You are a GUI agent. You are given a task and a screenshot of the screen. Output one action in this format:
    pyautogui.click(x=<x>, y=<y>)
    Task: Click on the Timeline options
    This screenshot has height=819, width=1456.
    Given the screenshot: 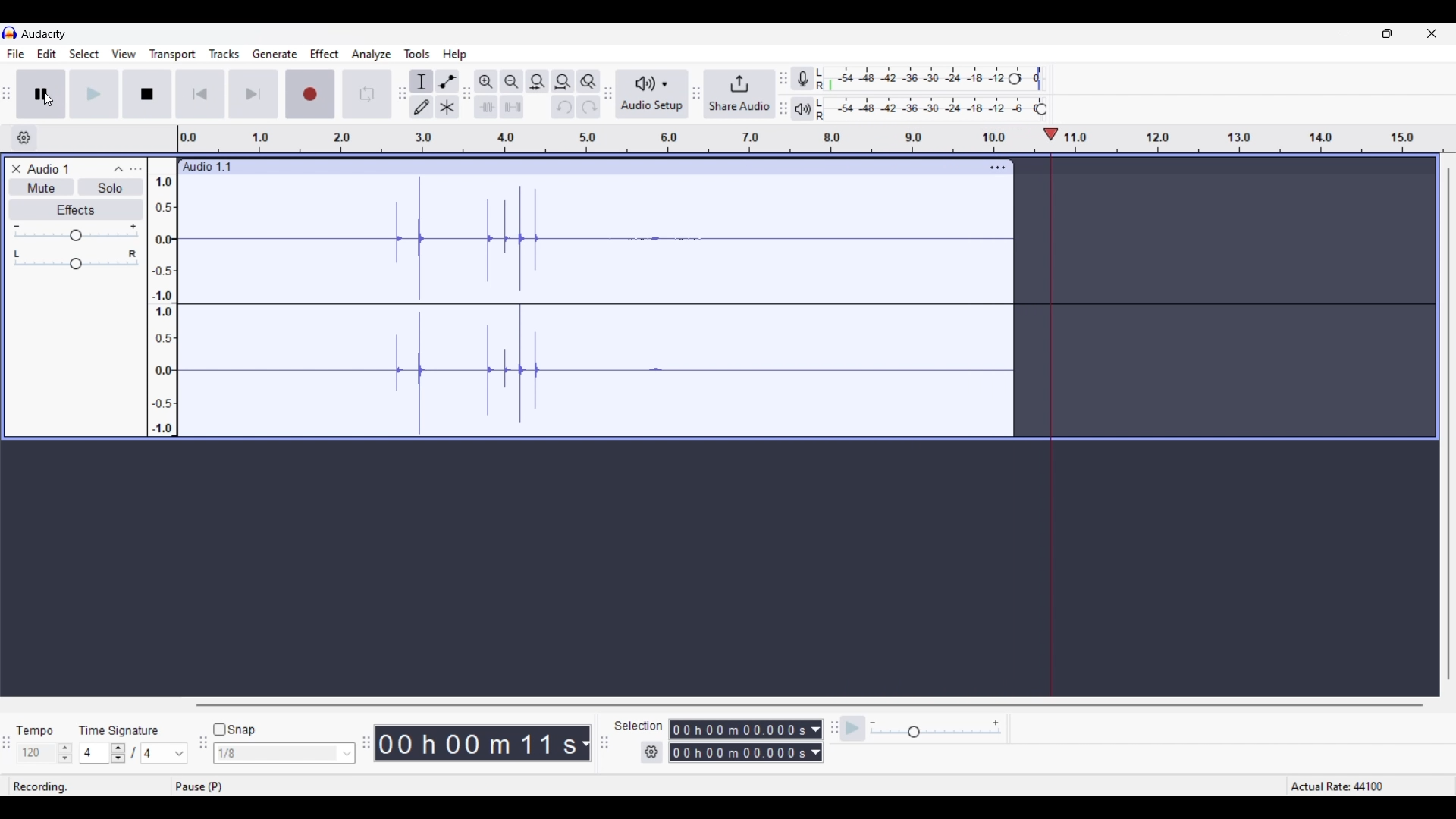 What is the action you would take?
    pyautogui.click(x=24, y=138)
    